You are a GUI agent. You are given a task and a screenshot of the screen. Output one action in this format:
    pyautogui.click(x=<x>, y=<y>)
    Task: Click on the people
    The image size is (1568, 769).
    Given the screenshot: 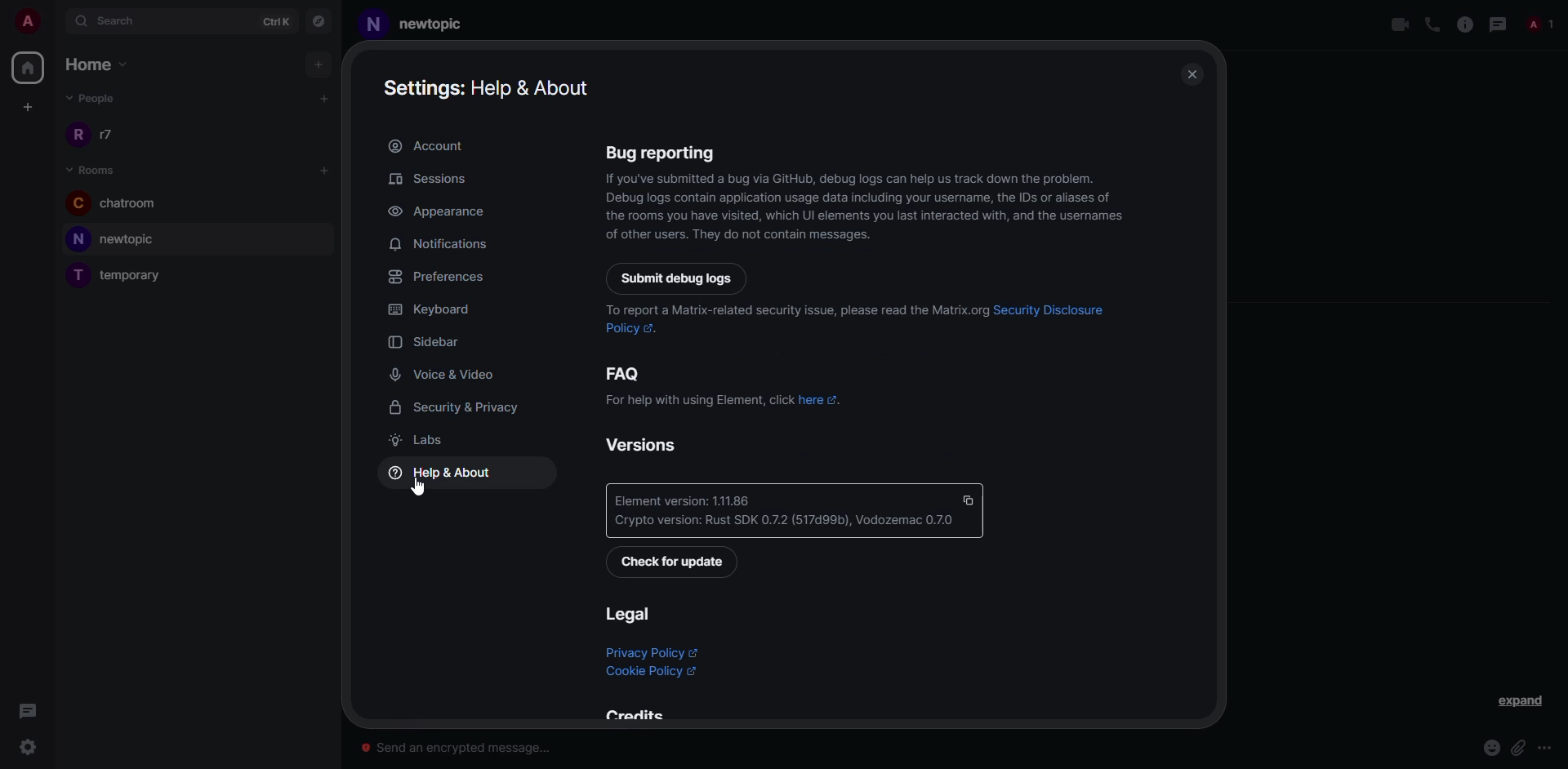 What is the action you would take?
    pyautogui.click(x=100, y=134)
    